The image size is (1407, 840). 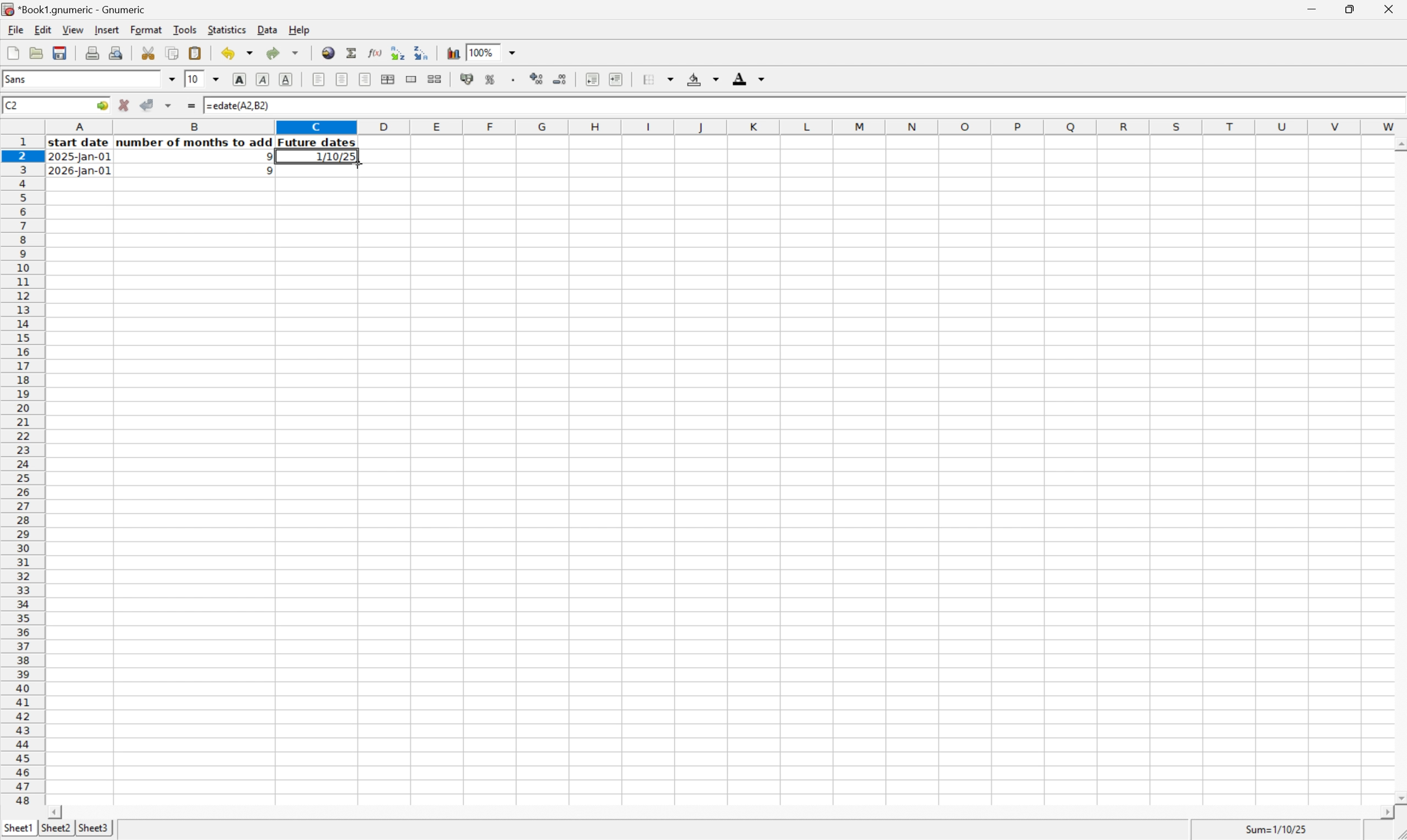 What do you see at coordinates (22, 471) in the screenshot?
I see `Row numbers` at bounding box center [22, 471].